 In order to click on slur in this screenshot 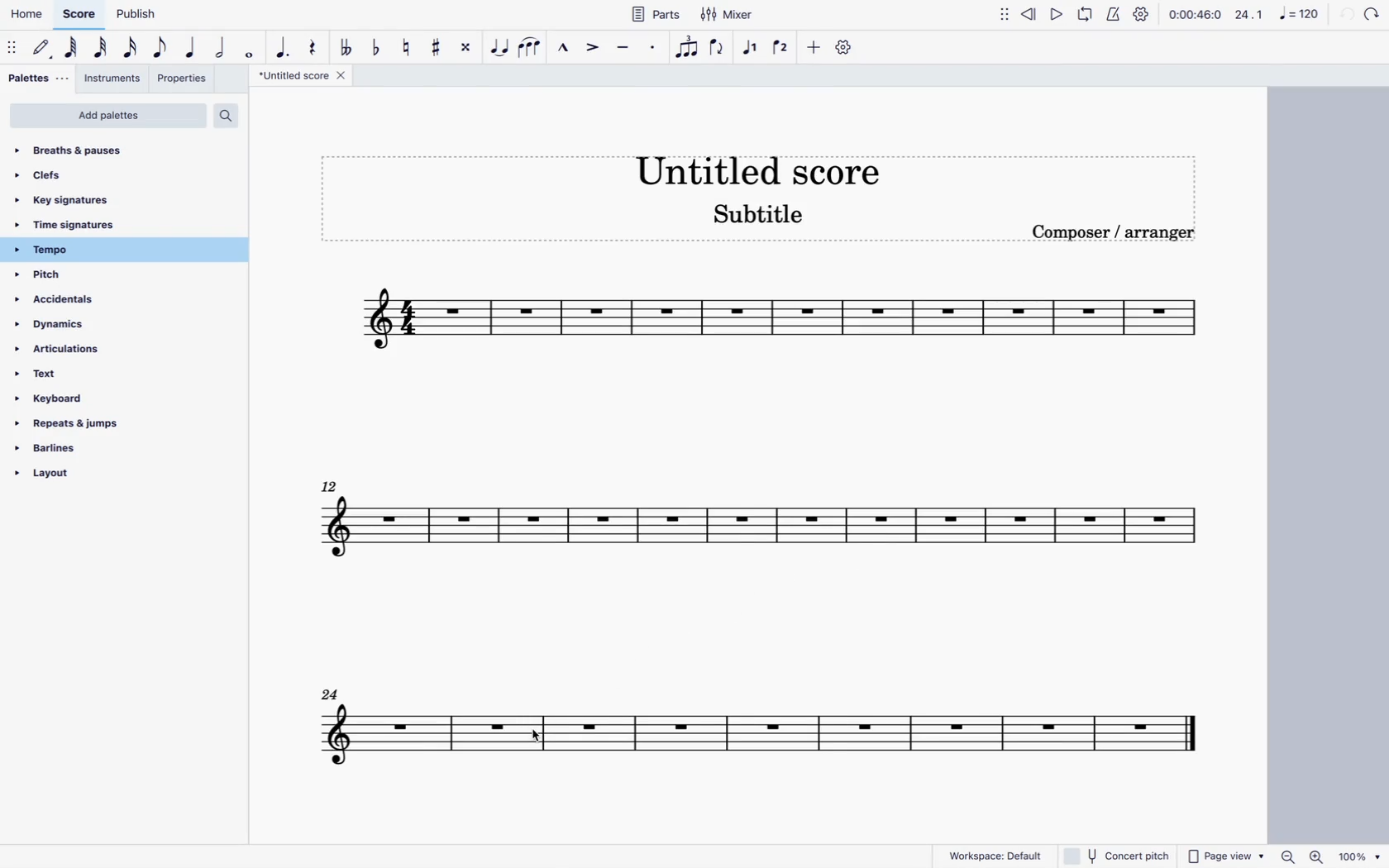, I will do `click(531, 48)`.